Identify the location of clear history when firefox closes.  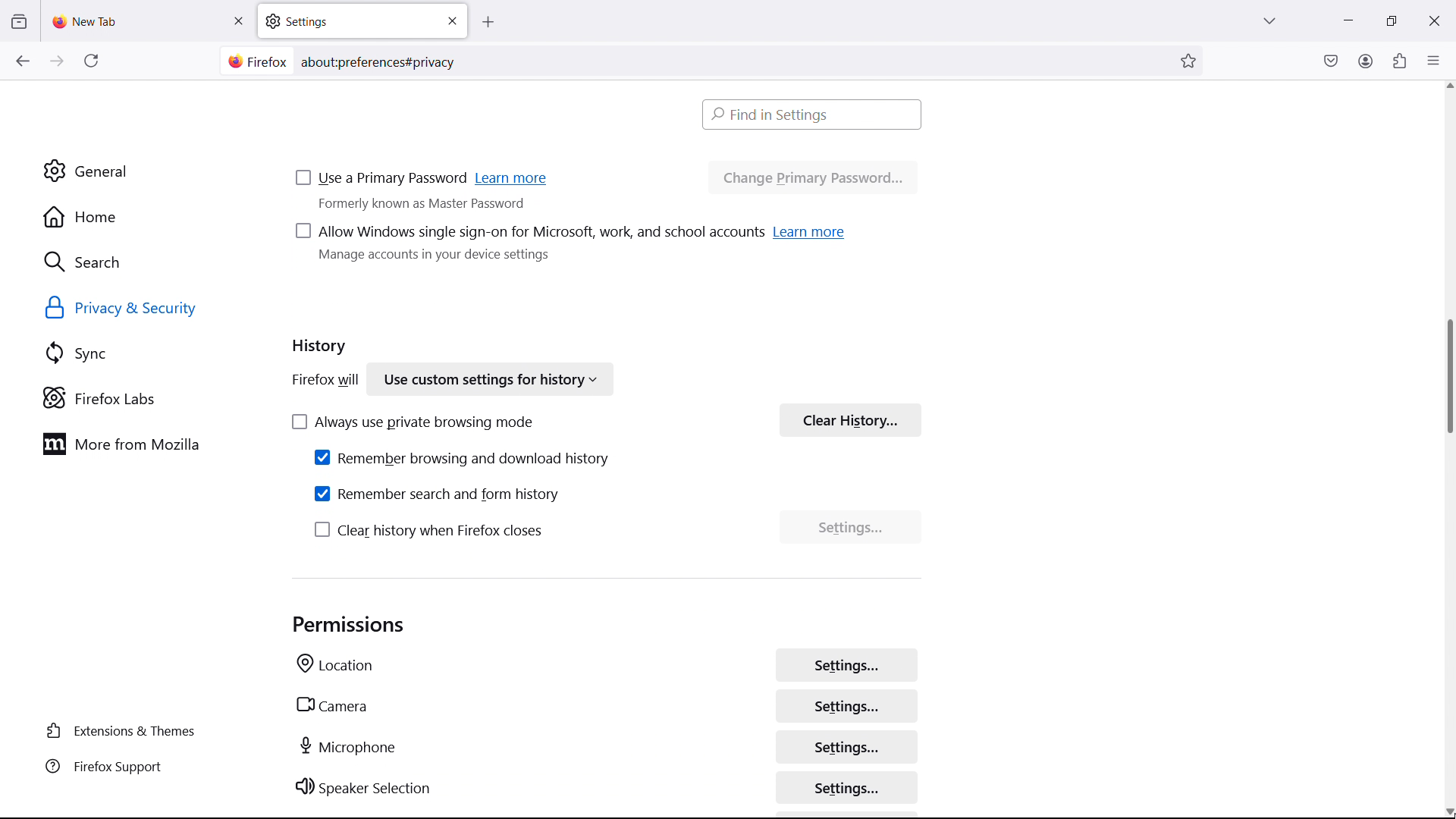
(430, 528).